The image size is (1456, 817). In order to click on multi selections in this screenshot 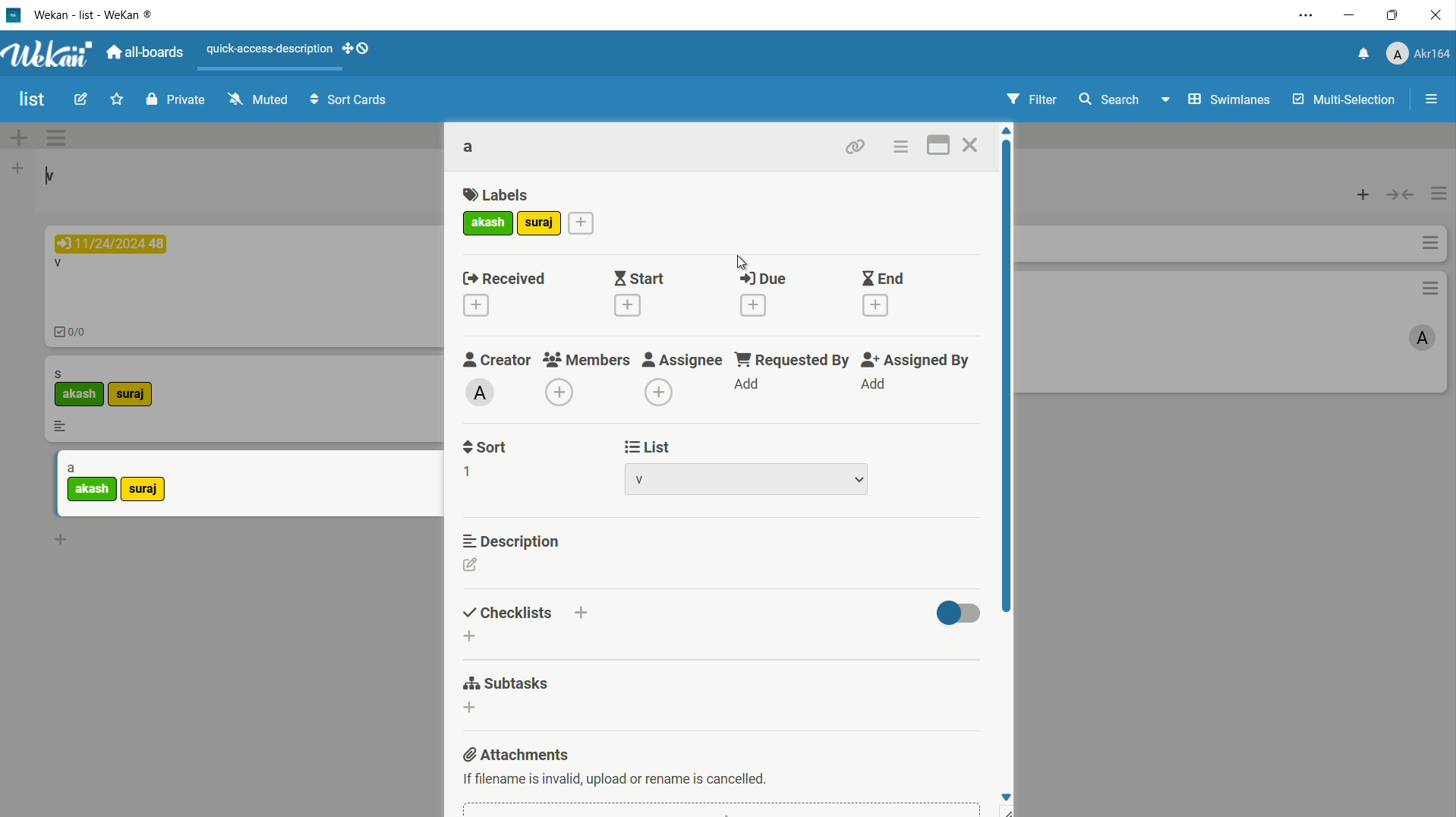, I will do `click(1342, 101)`.